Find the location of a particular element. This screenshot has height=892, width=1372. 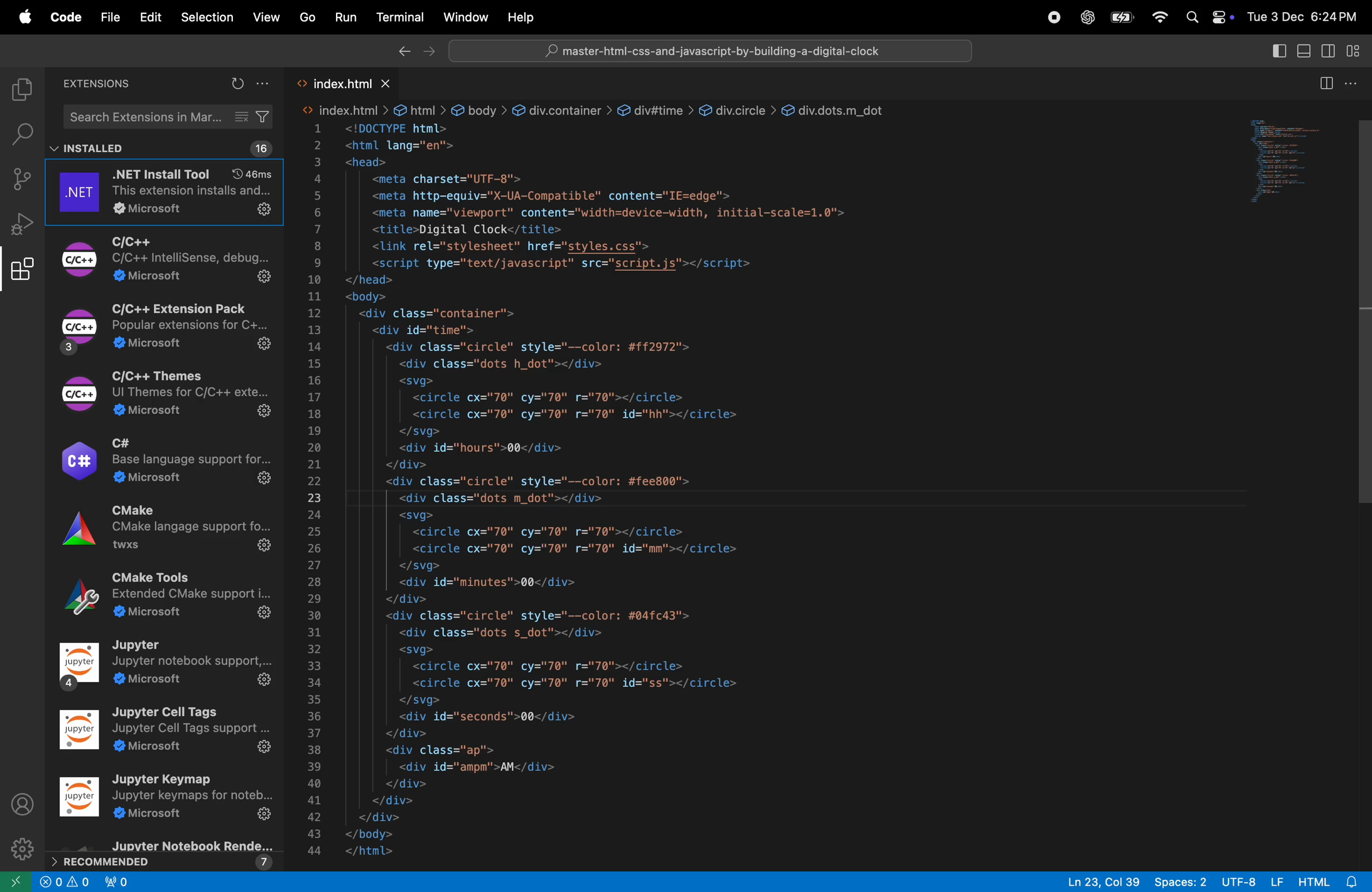

View is located at coordinates (265, 18).